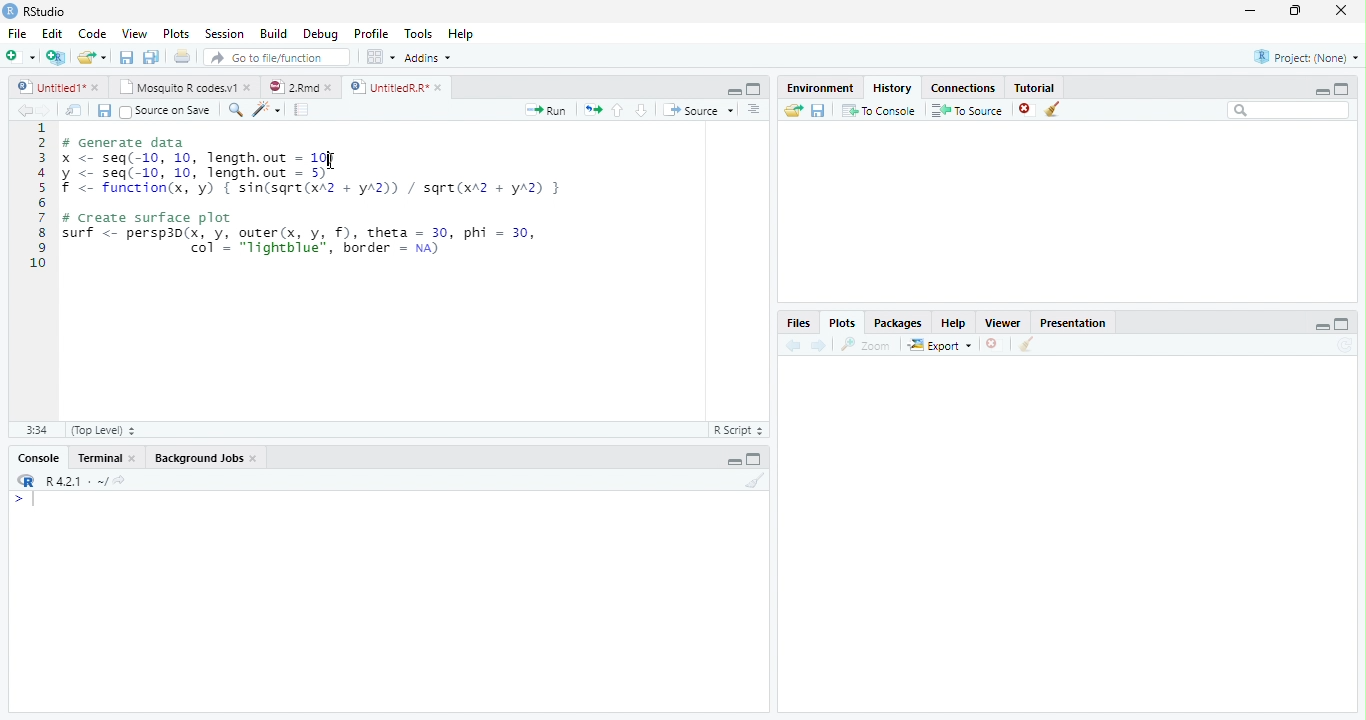 Image resolution: width=1366 pixels, height=720 pixels. Describe the element at coordinates (592, 109) in the screenshot. I see `Re-run the previous code region` at that location.